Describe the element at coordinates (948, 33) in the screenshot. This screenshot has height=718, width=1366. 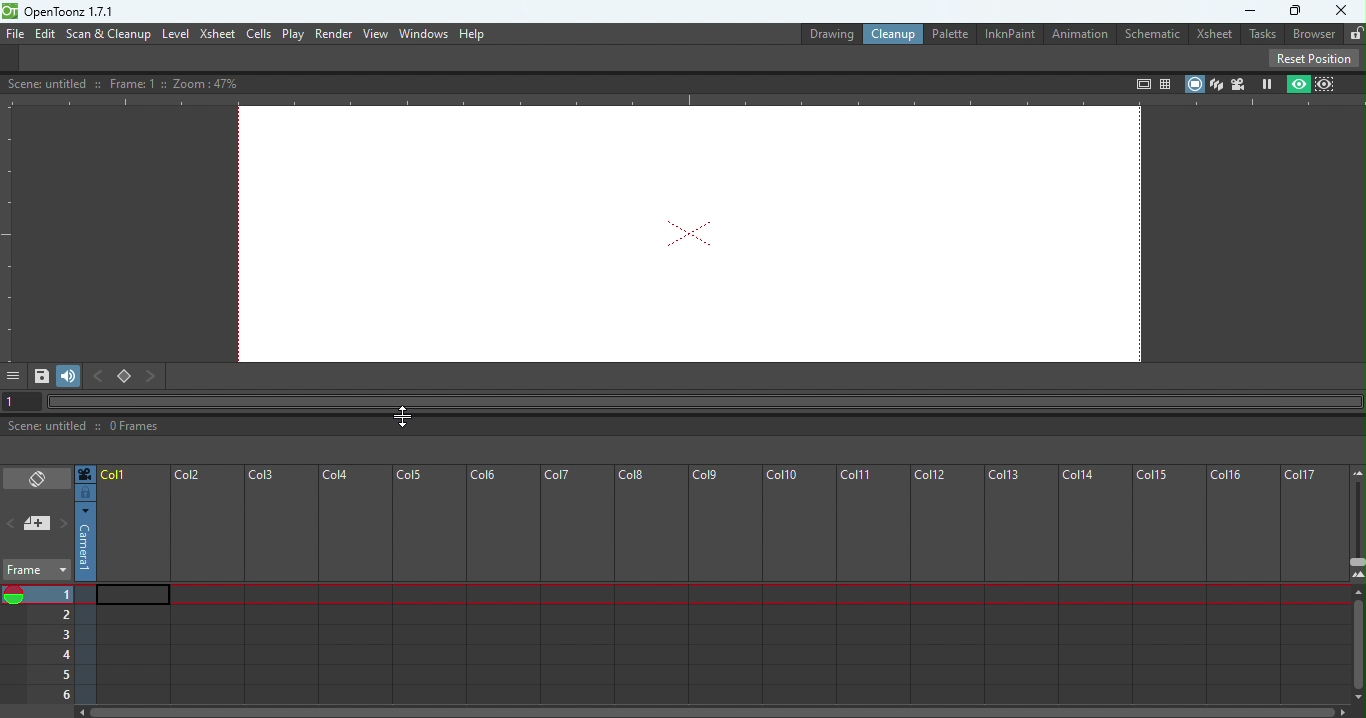
I see `Palette` at that location.